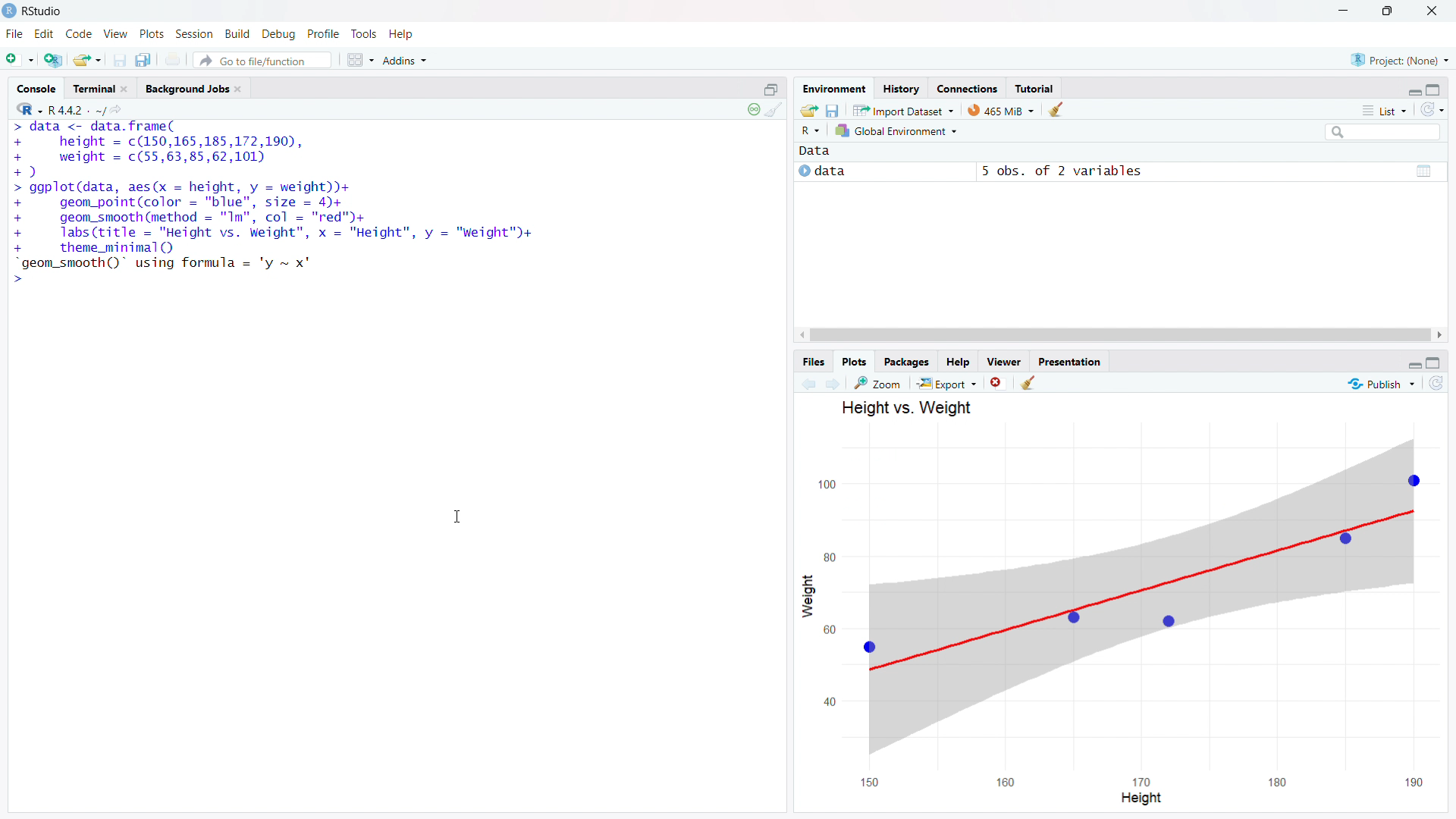  Describe the element at coordinates (1341, 11) in the screenshot. I see `minimize` at that location.